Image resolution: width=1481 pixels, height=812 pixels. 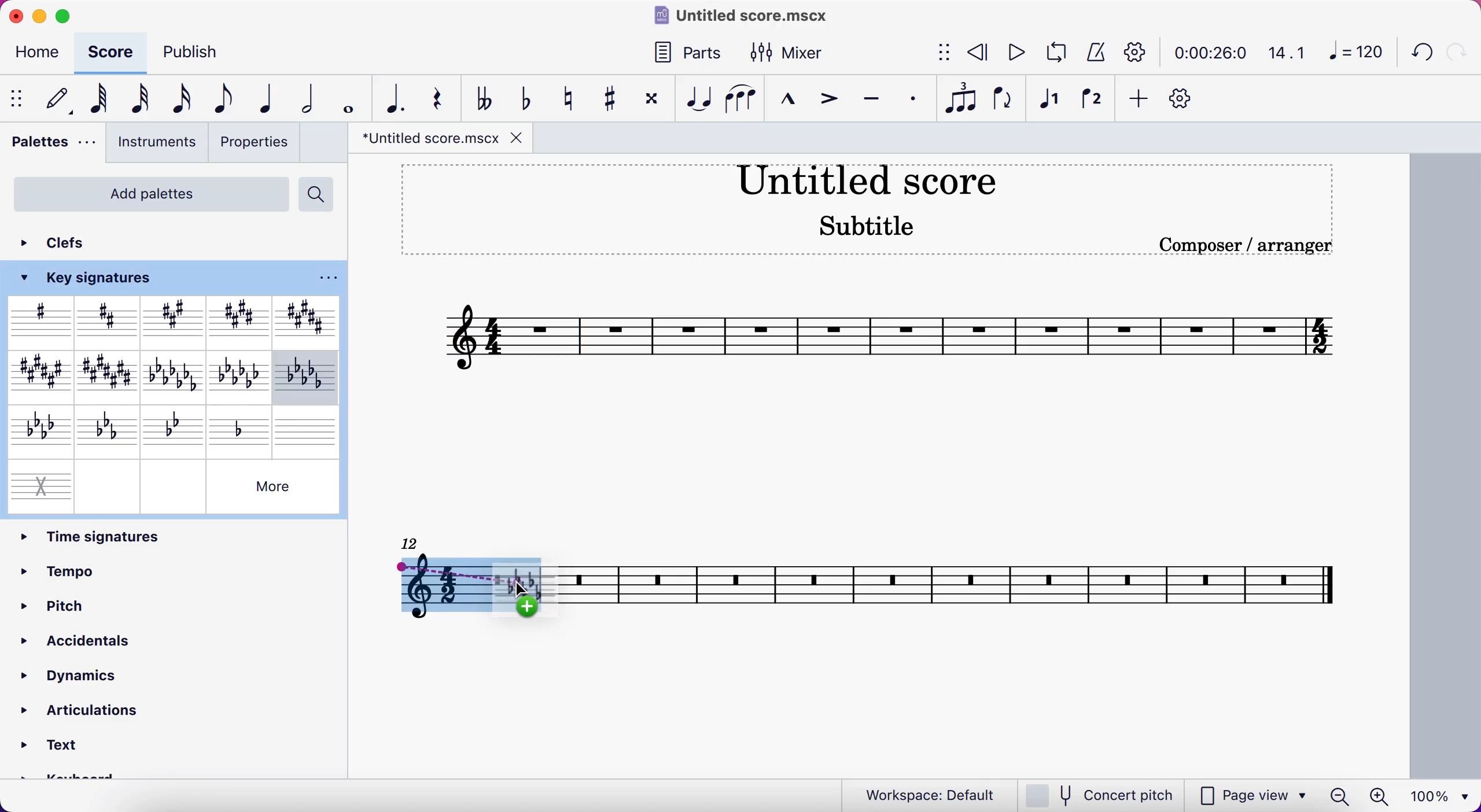 What do you see at coordinates (306, 376) in the screenshot?
I see `B minor` at bounding box center [306, 376].